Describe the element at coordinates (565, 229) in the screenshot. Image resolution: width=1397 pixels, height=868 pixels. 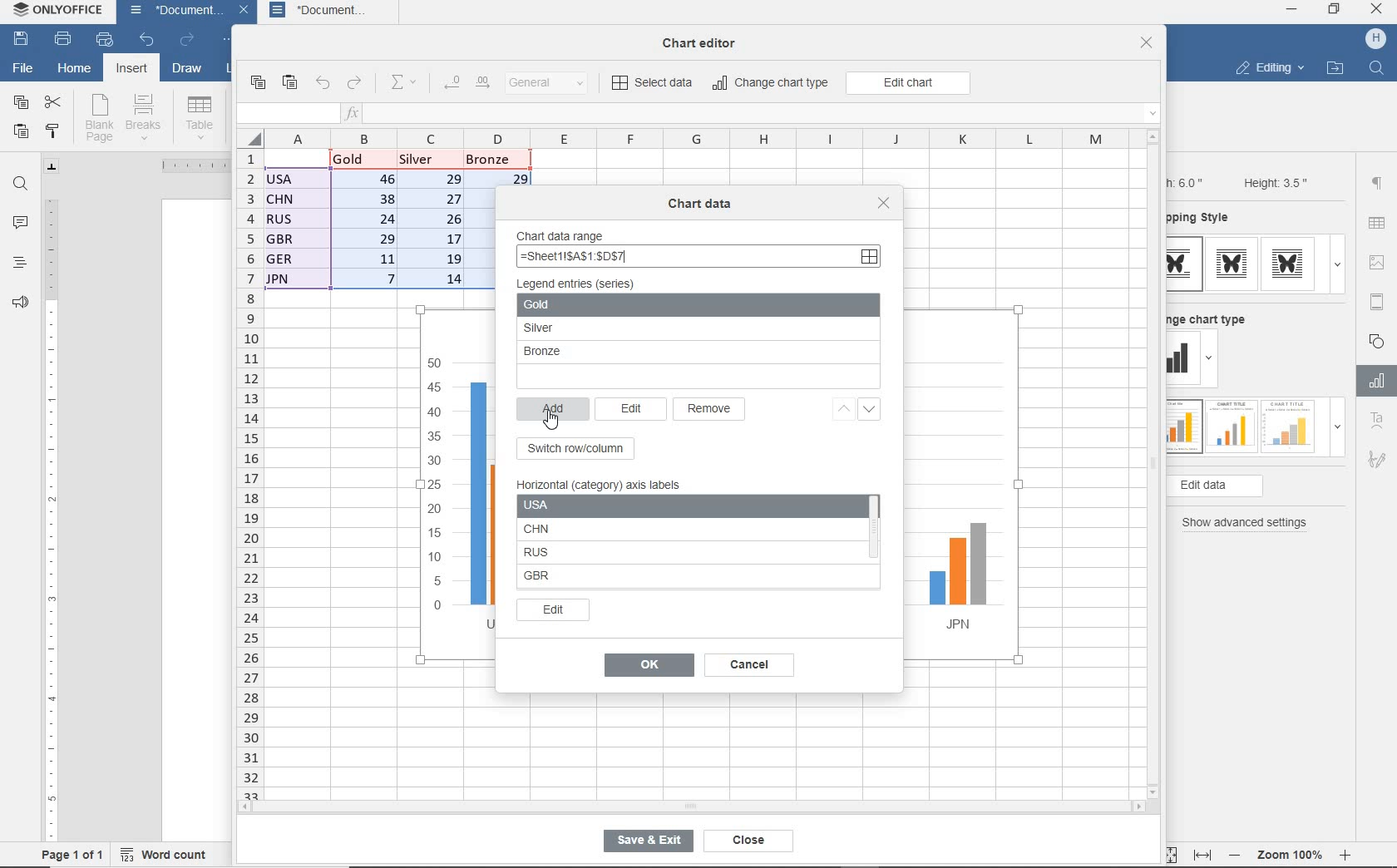
I see `chart data range` at that location.